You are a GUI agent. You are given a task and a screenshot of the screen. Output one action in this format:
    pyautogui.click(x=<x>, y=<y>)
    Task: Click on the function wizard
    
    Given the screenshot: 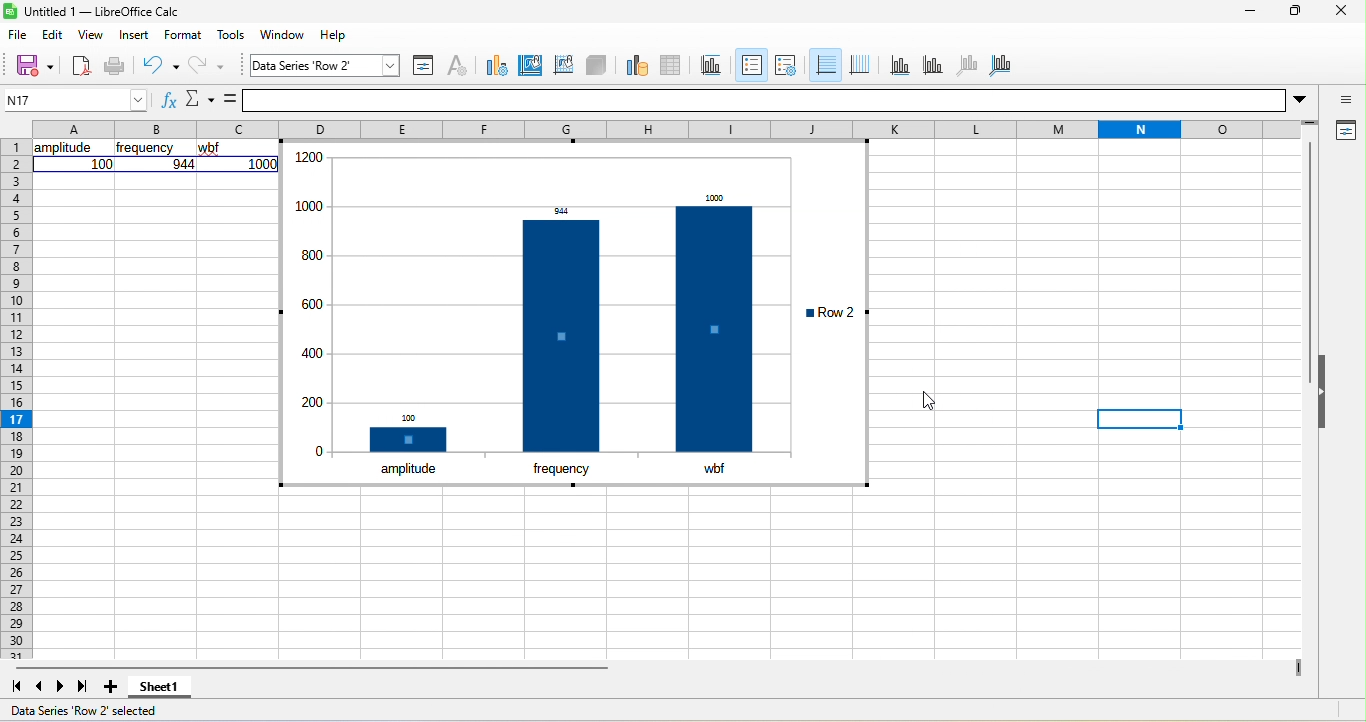 What is the action you would take?
    pyautogui.click(x=164, y=99)
    